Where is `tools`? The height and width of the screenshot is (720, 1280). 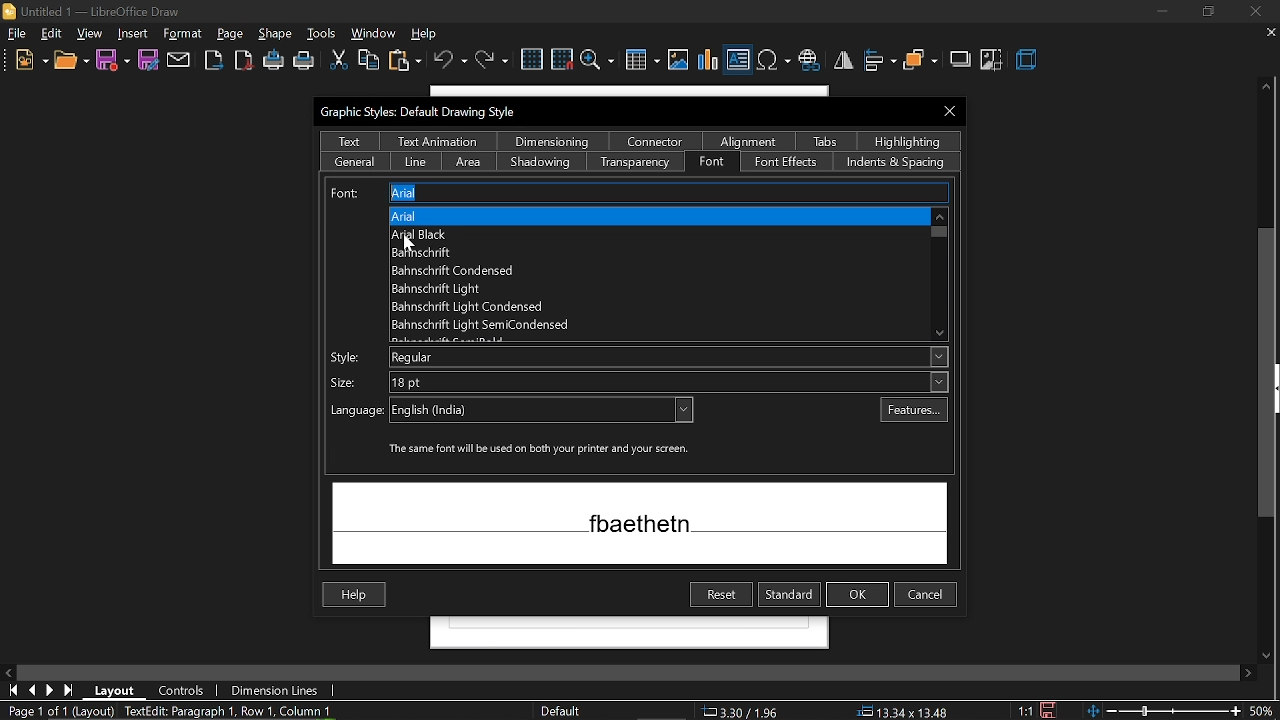 tools is located at coordinates (322, 33).